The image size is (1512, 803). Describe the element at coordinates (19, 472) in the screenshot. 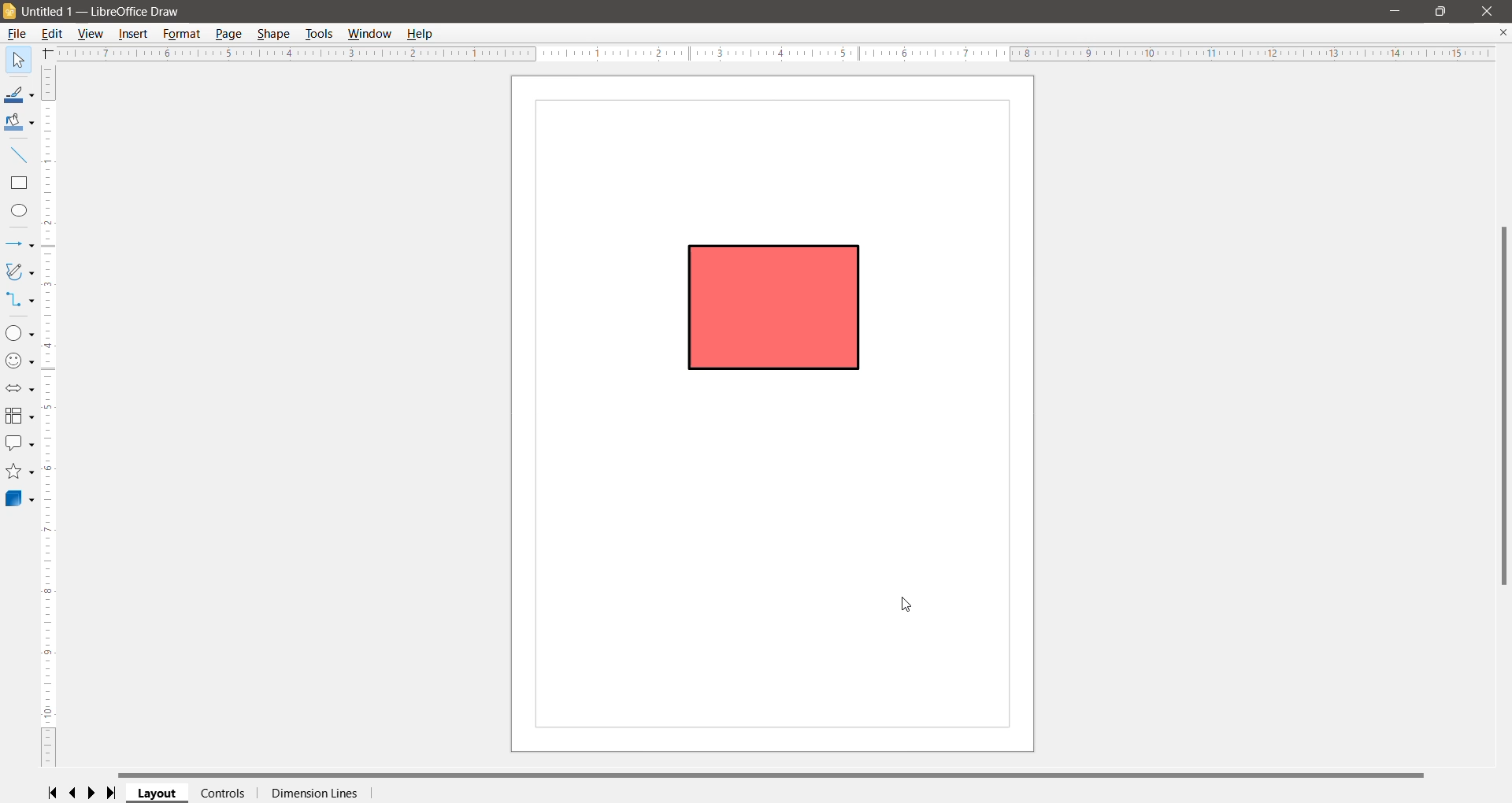

I see `Stars and Banners` at that location.